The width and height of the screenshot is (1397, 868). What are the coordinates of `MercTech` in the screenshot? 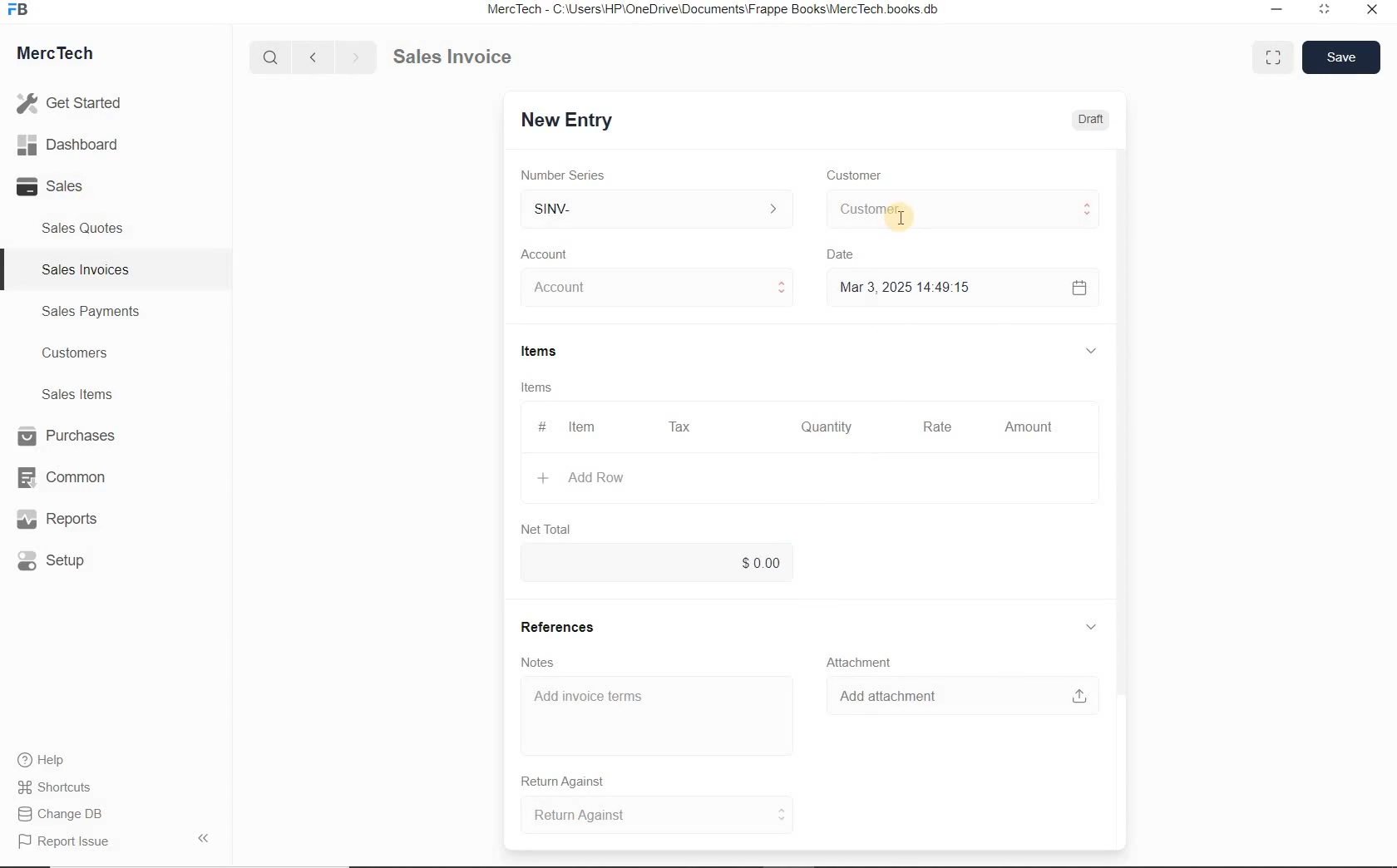 It's located at (63, 57).